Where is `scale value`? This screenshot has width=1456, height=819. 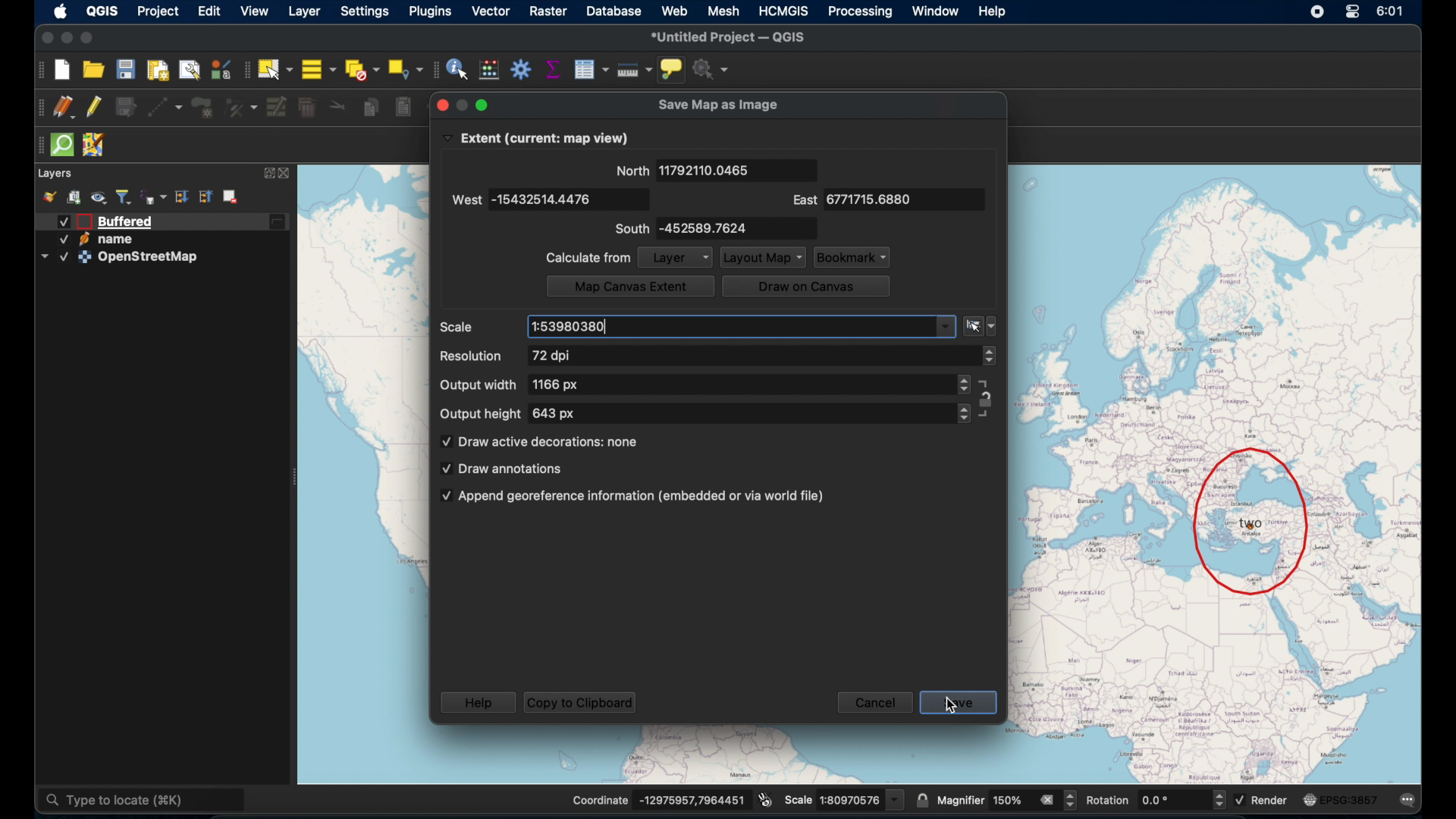 scale value is located at coordinates (861, 798).